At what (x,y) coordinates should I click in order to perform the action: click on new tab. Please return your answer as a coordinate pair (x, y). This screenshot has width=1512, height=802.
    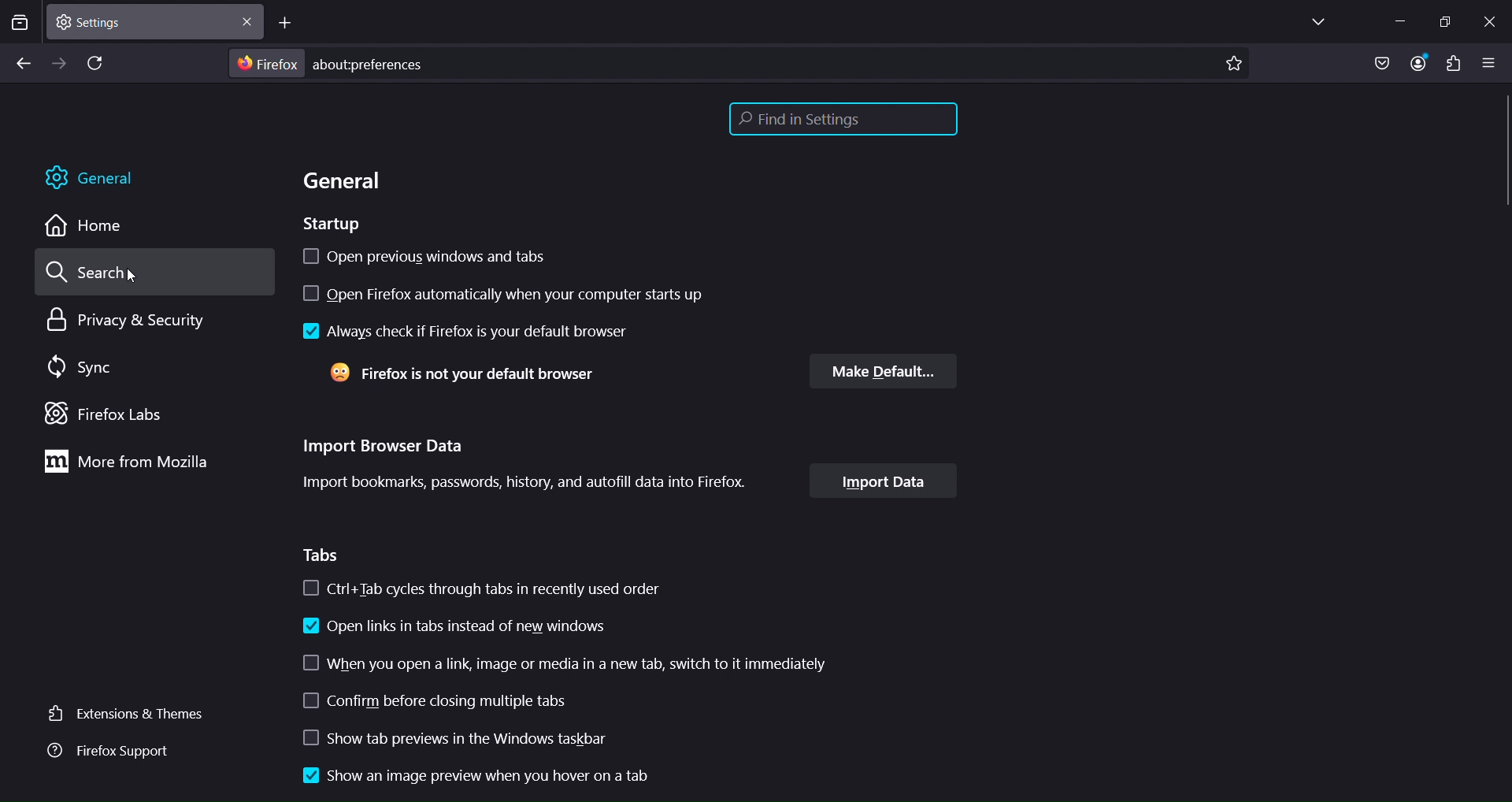
    Looking at the image, I should click on (285, 24).